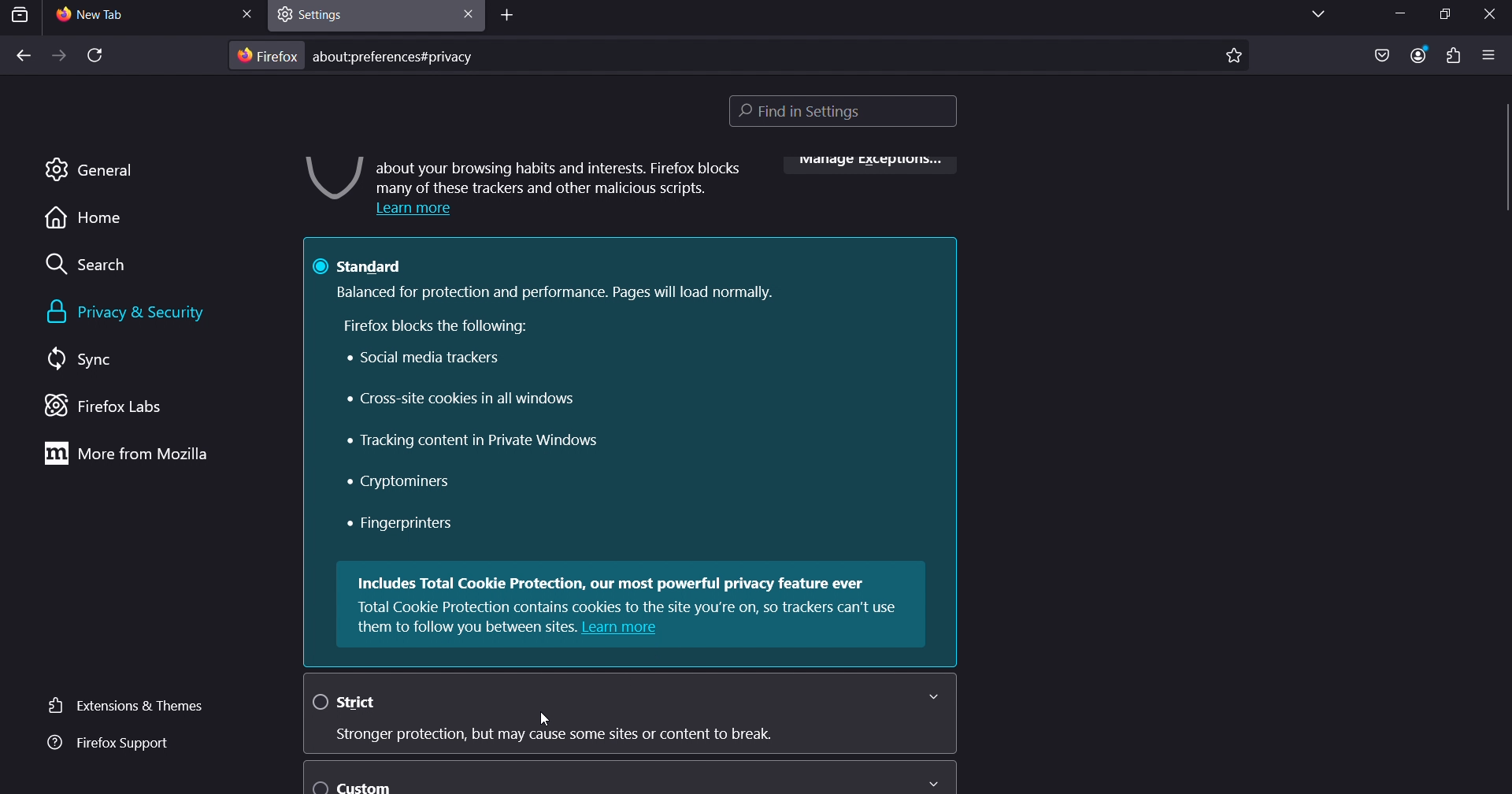  Describe the element at coordinates (110, 16) in the screenshot. I see `current tab` at that location.